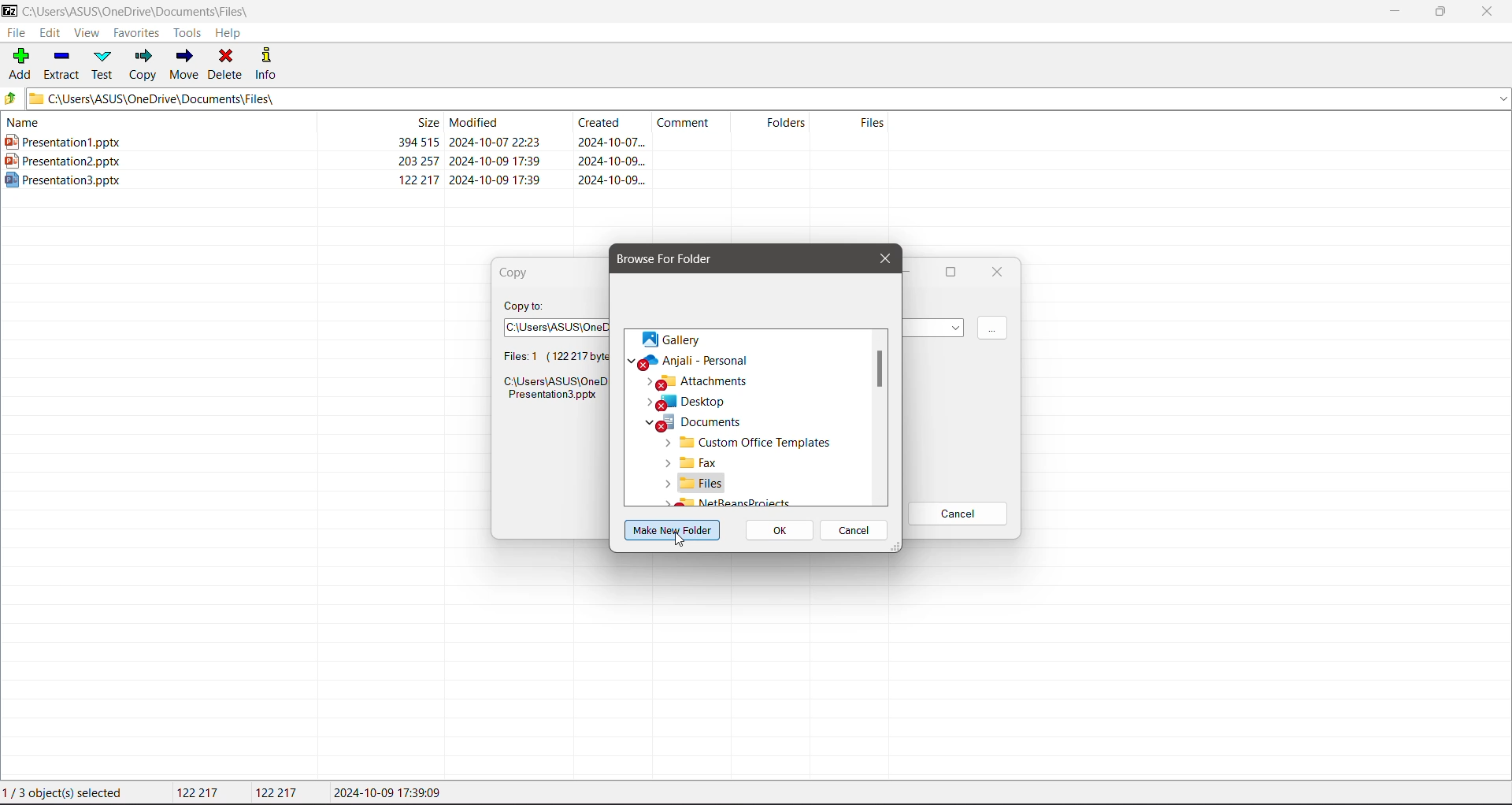  Describe the element at coordinates (672, 339) in the screenshot. I see `Gallery` at that location.